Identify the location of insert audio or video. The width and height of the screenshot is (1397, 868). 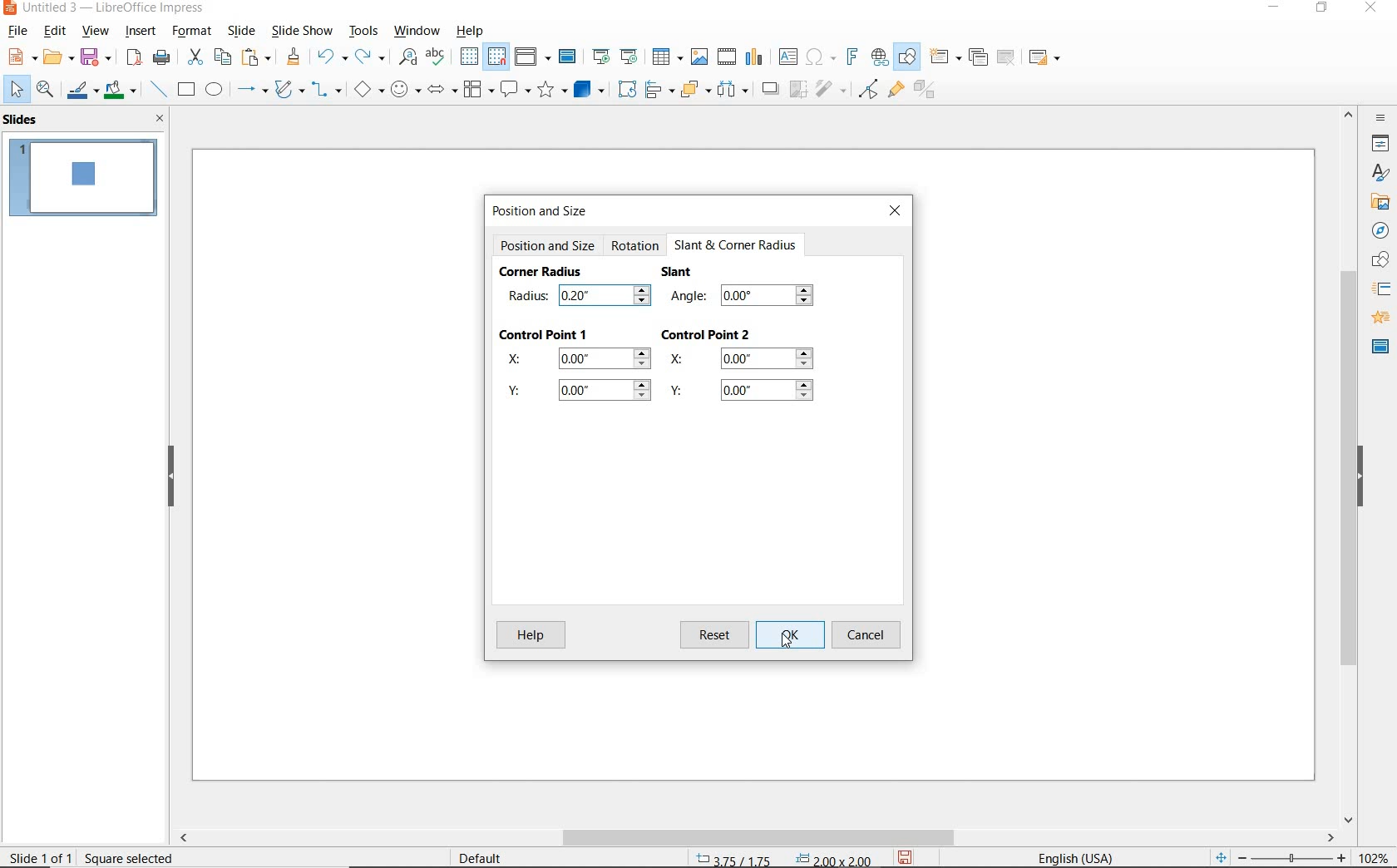
(728, 57).